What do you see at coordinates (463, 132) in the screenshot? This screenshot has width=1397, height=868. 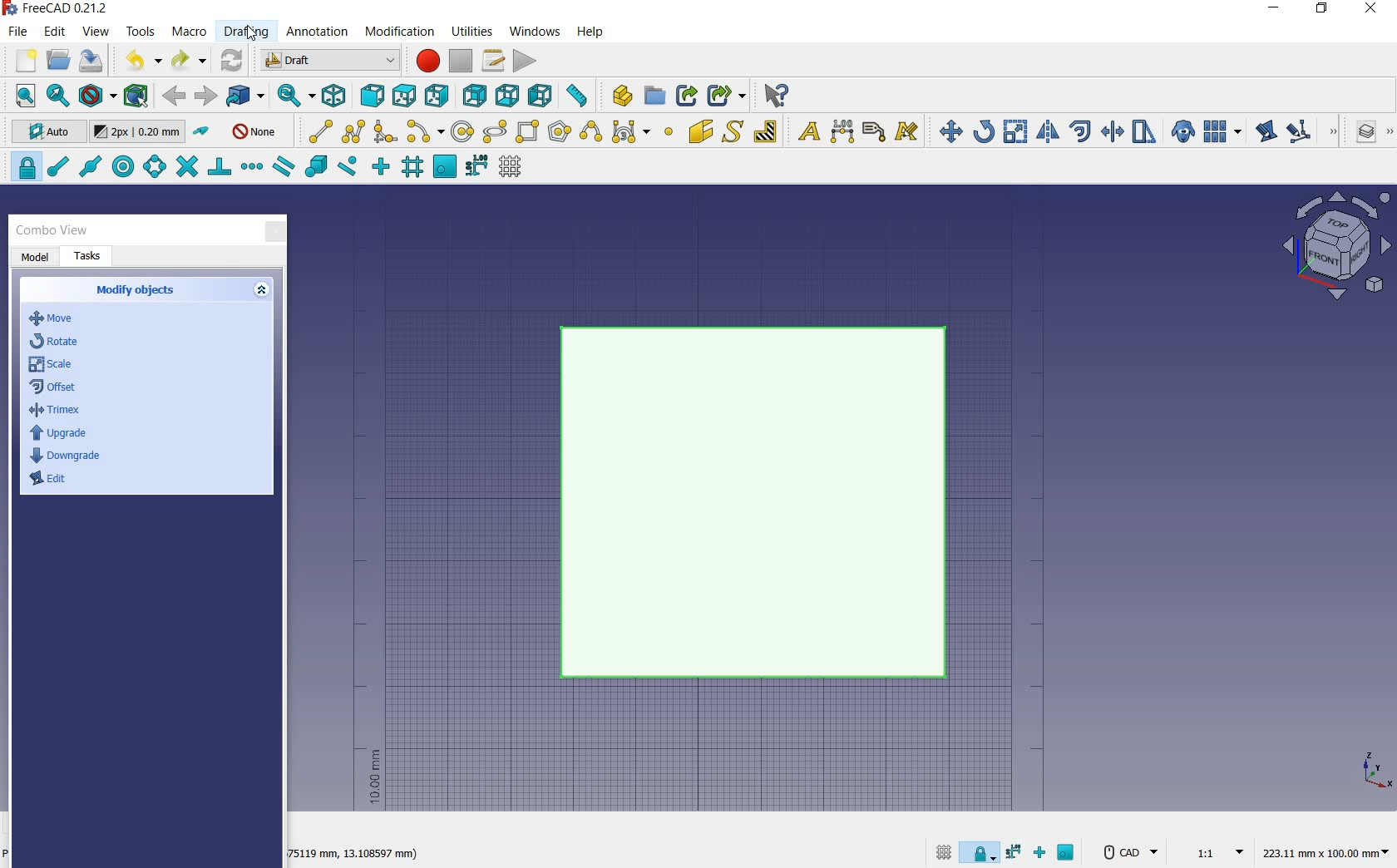 I see `circle` at bounding box center [463, 132].